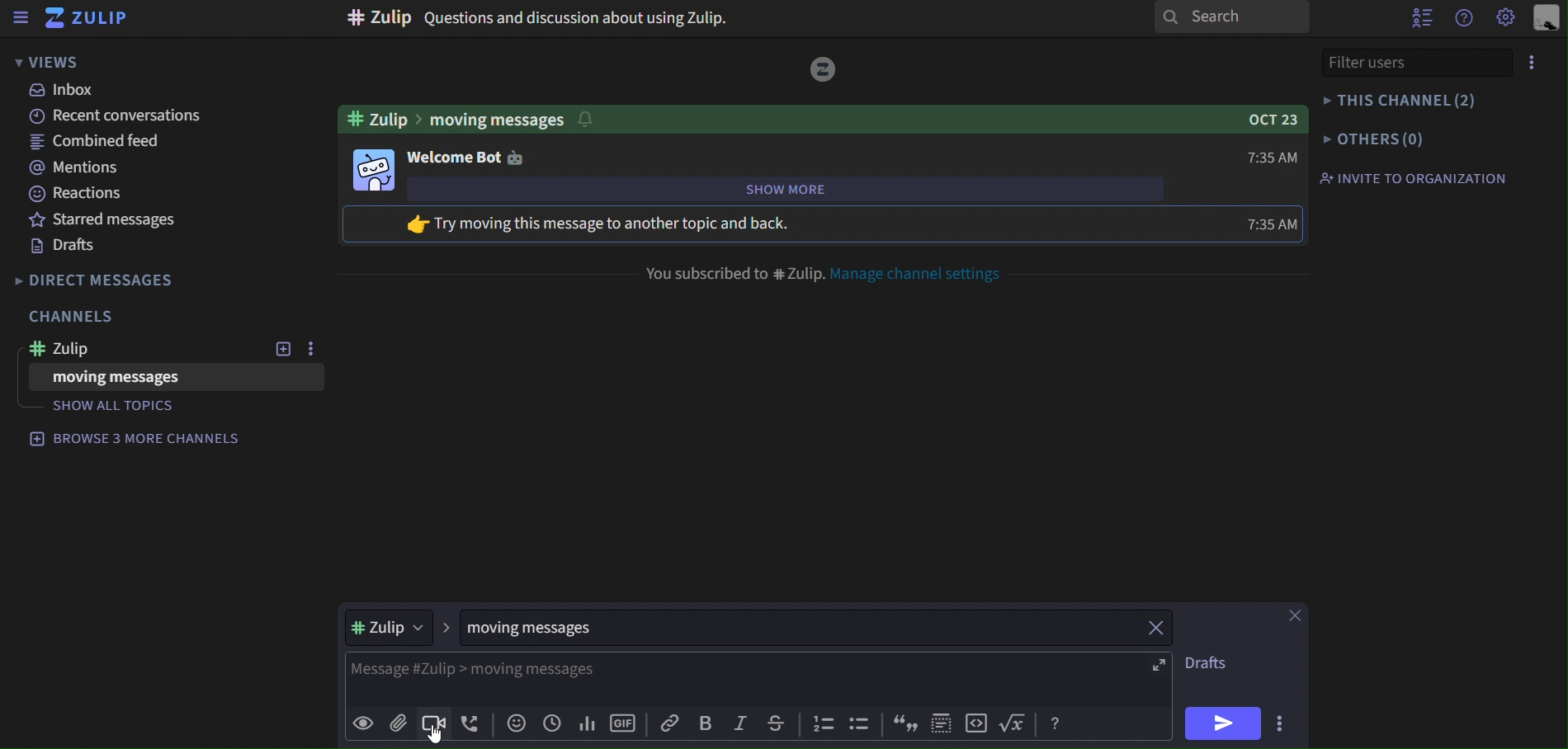  I want to click on views, so click(51, 61).